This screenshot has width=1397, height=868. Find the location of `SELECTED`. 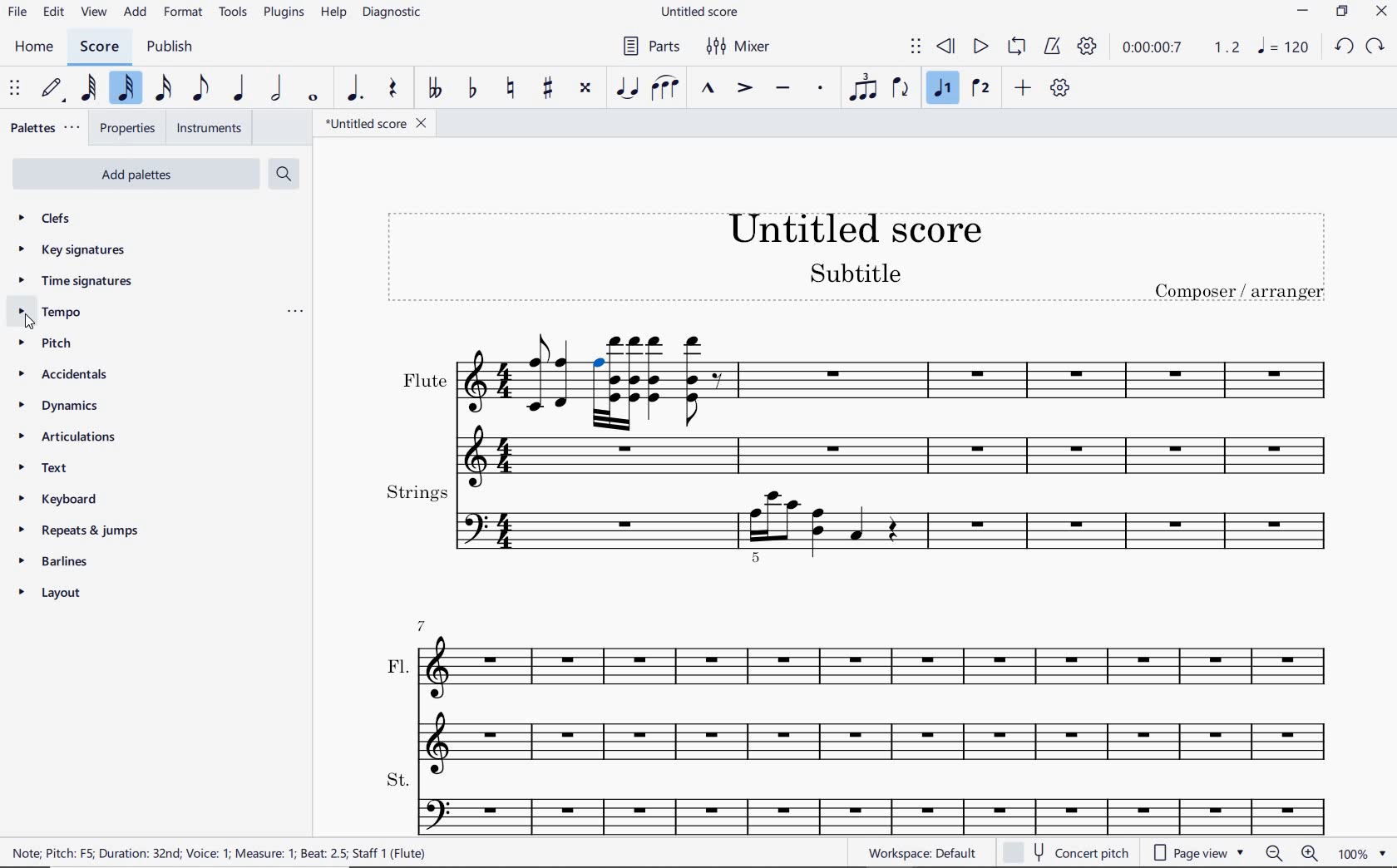

SELECTED is located at coordinates (598, 358).